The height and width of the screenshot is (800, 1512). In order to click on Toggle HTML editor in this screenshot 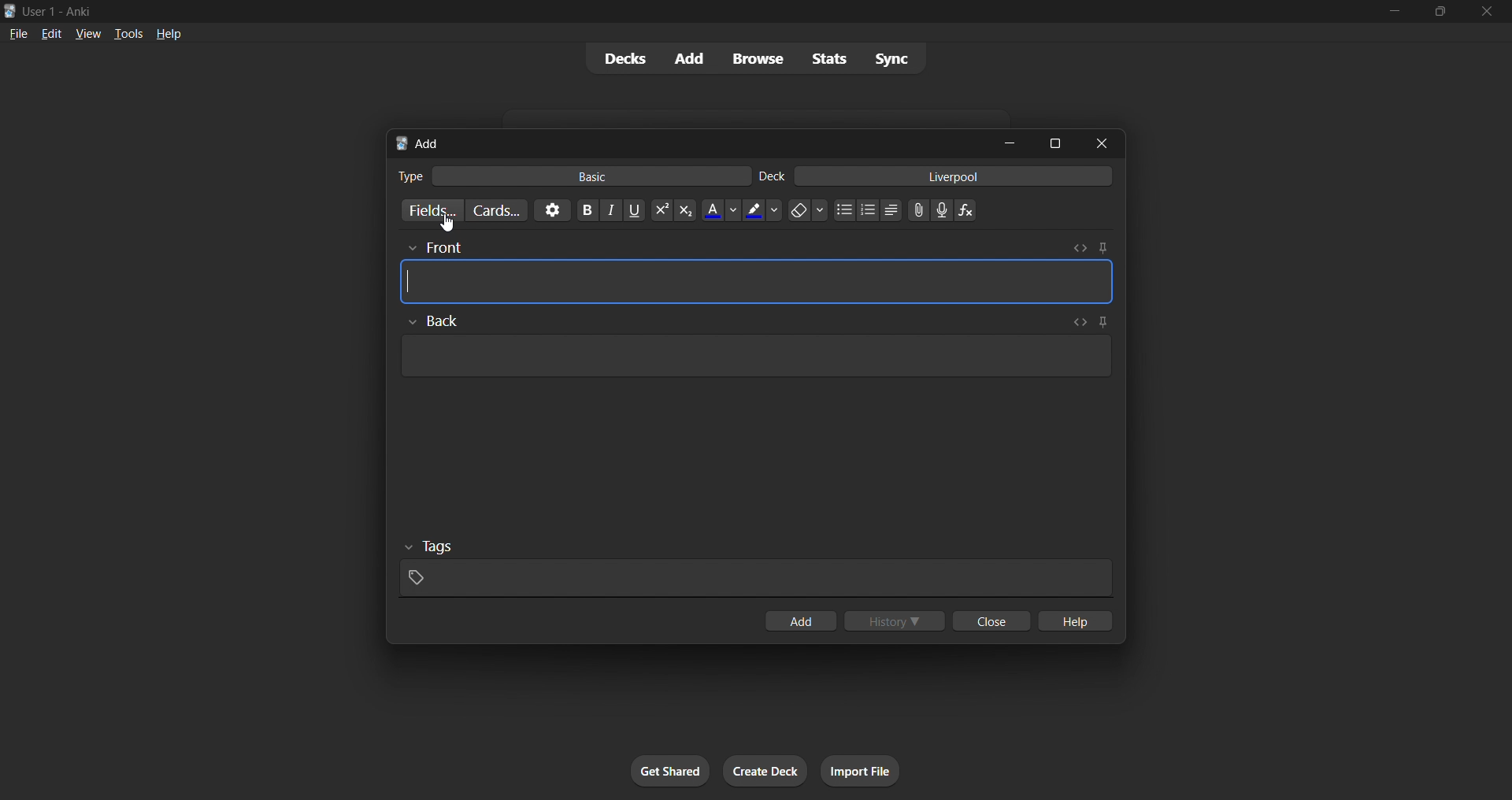, I will do `click(1080, 248)`.